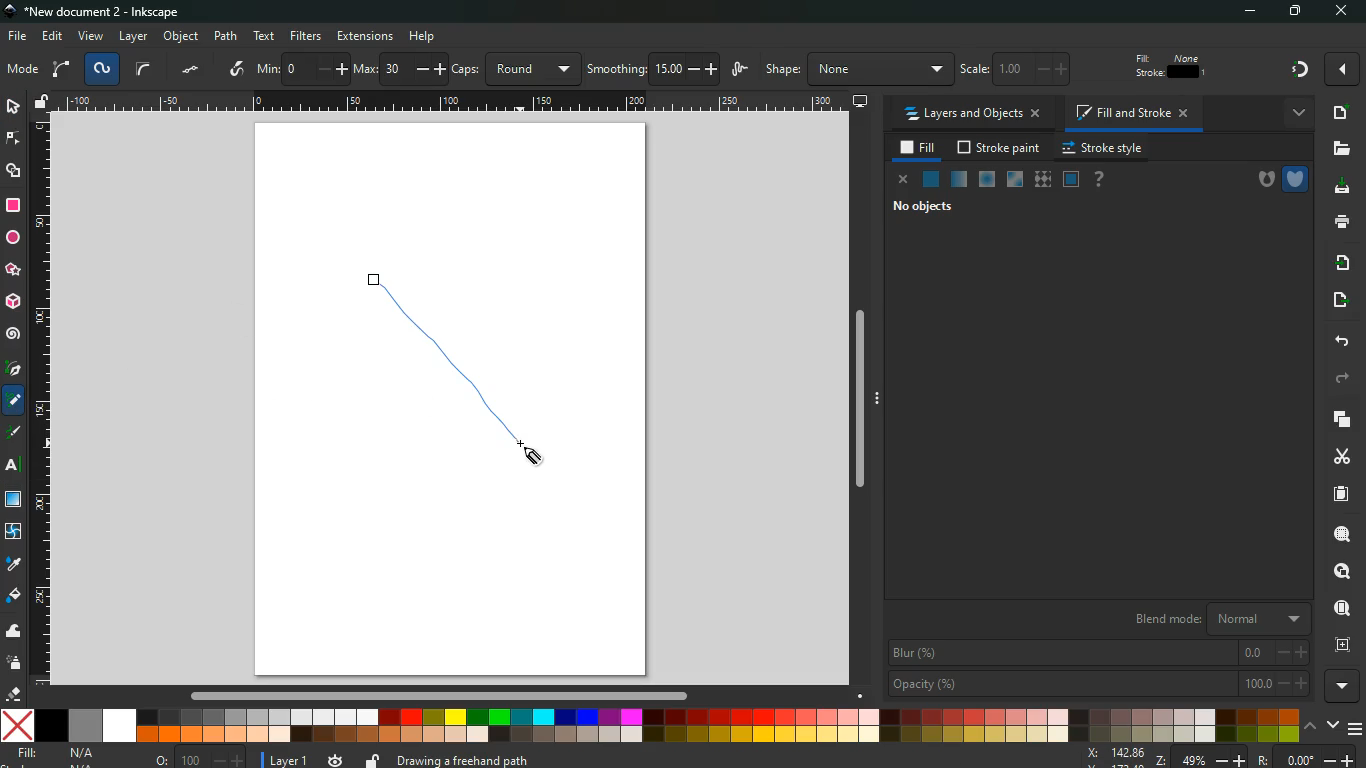  Describe the element at coordinates (1344, 379) in the screenshot. I see `forward` at that location.